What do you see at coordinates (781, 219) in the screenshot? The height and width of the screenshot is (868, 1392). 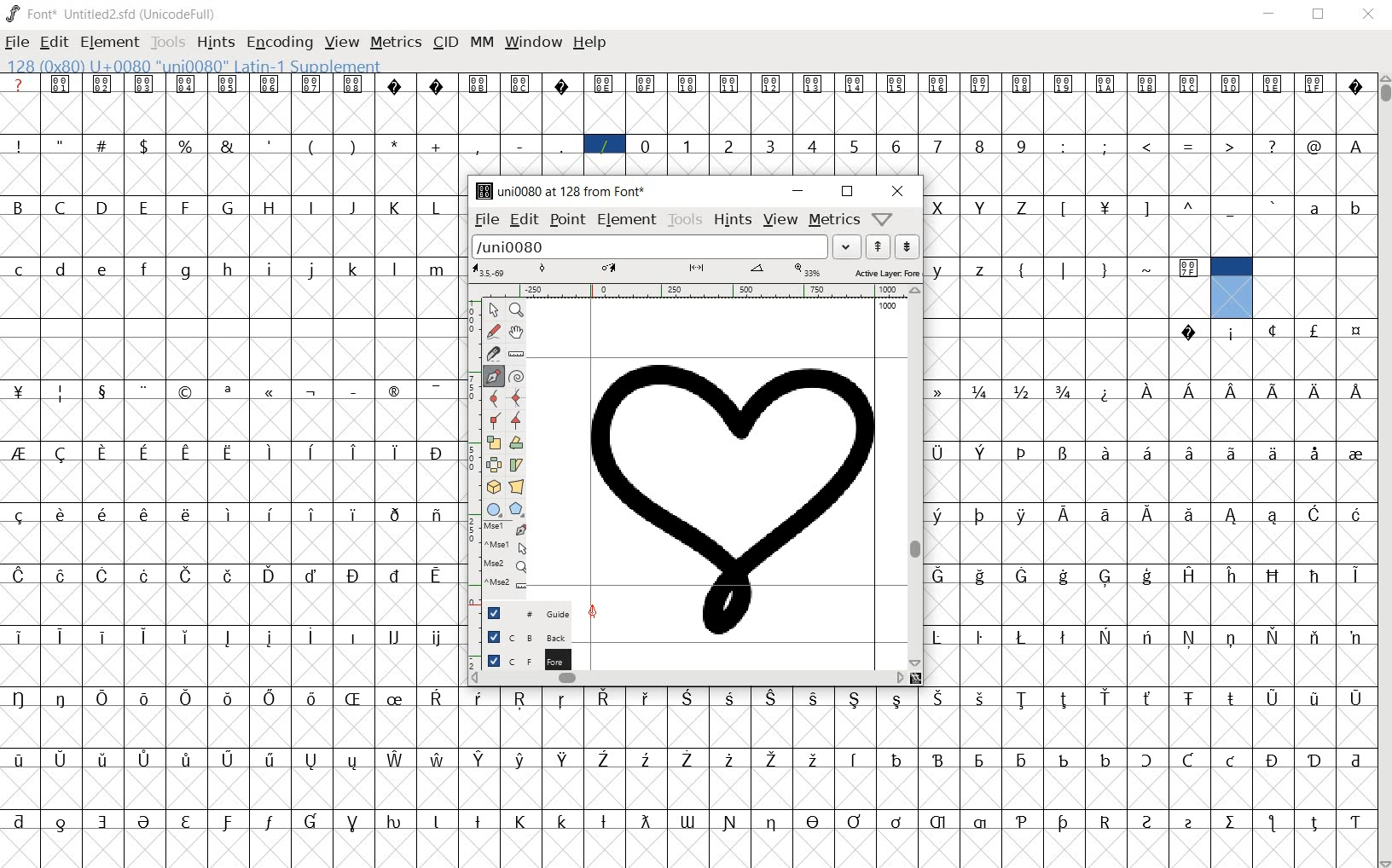 I see `view` at bounding box center [781, 219].